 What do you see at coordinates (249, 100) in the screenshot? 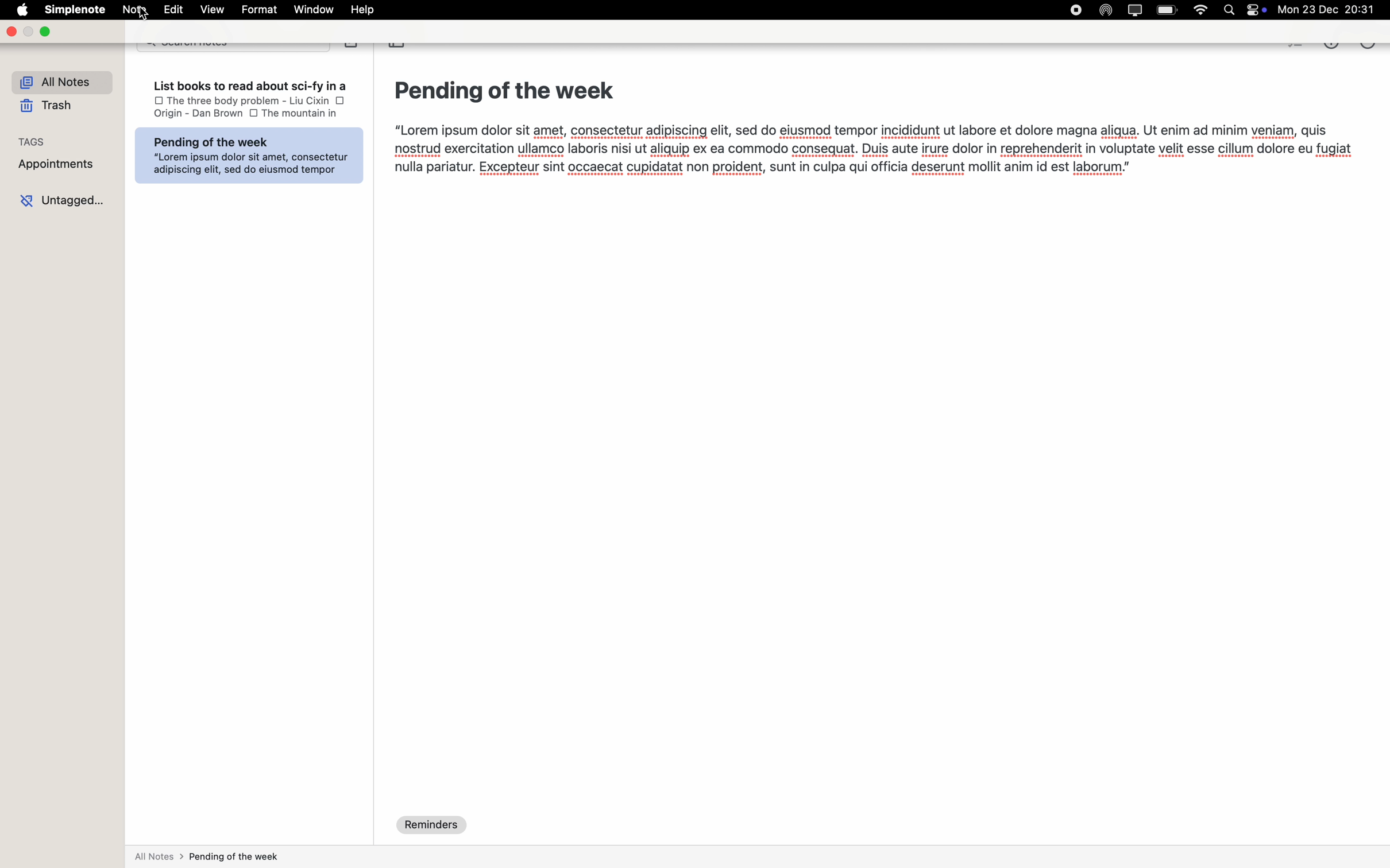
I see `the three body problem-liu cixin` at bounding box center [249, 100].